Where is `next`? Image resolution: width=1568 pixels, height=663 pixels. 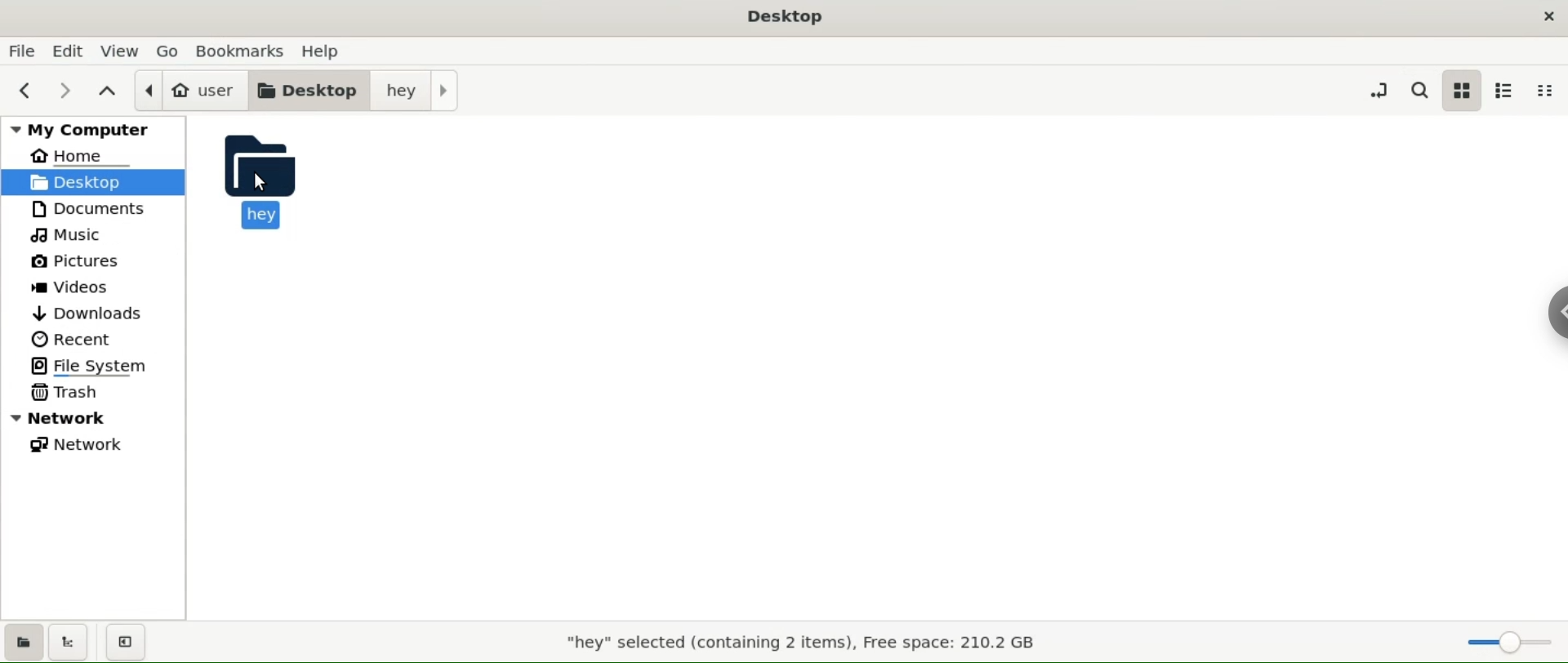
next is located at coordinates (69, 89).